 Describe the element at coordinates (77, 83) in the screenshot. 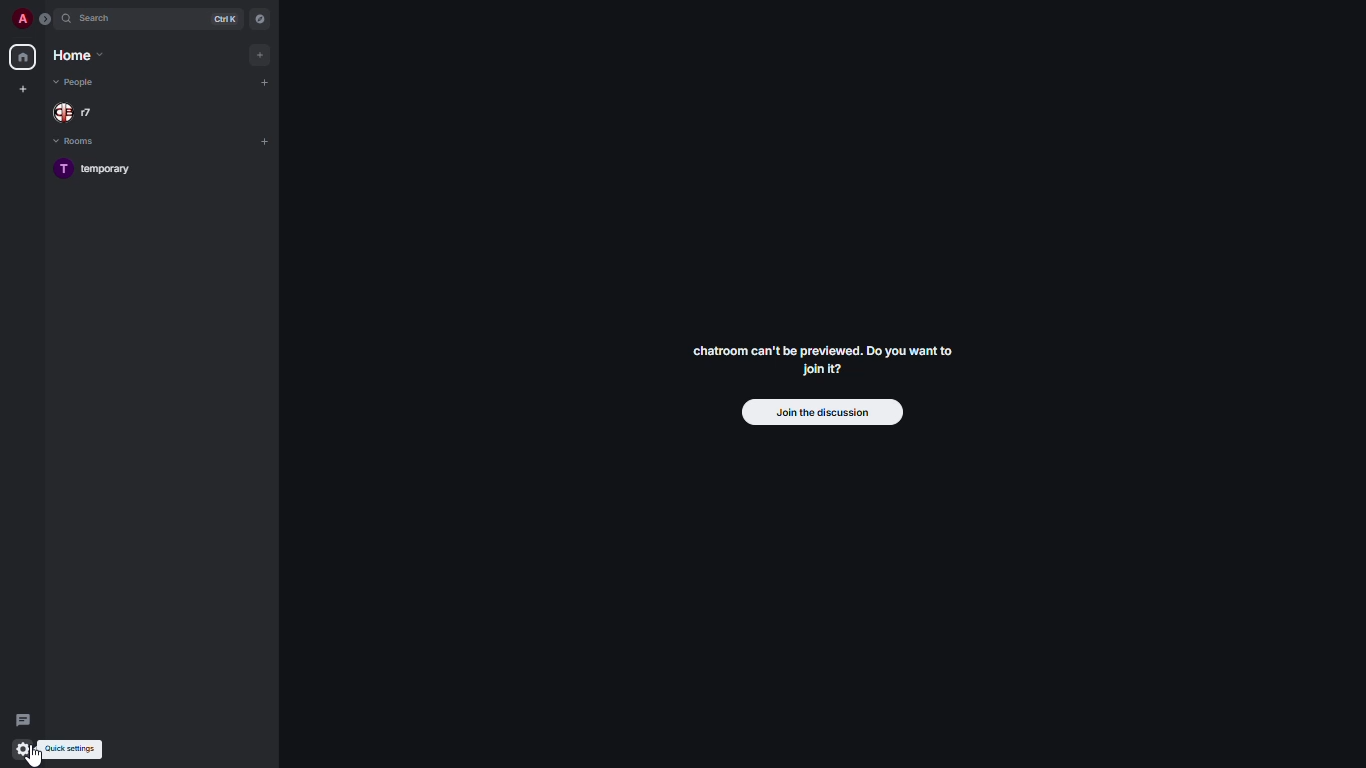

I see `people` at that location.